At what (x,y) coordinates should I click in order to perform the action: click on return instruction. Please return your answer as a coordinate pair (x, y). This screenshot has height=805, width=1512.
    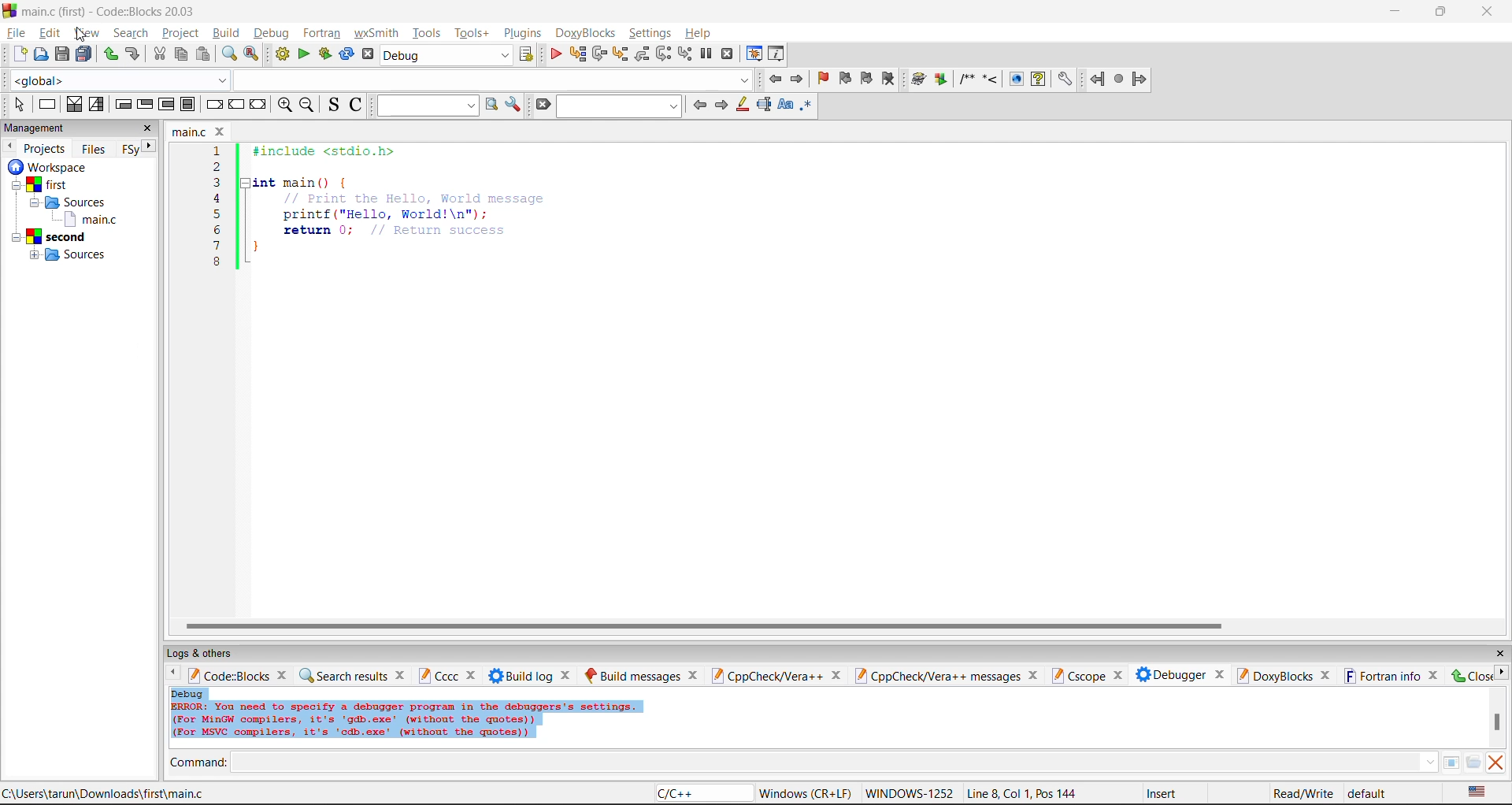
    Looking at the image, I should click on (260, 104).